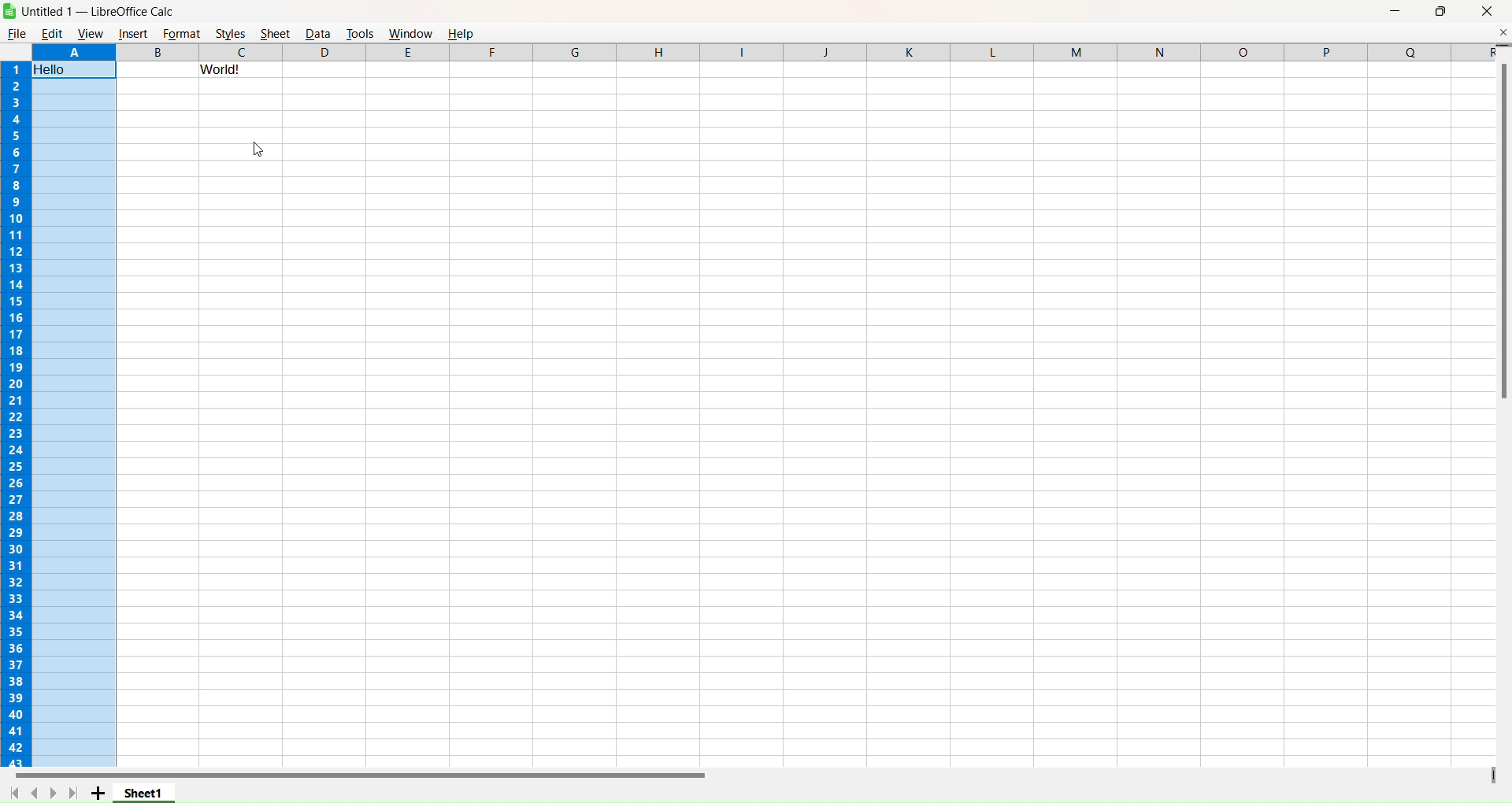 Image resolution: width=1512 pixels, height=803 pixels. Describe the element at coordinates (105, 11) in the screenshot. I see `untitled 1 - LibreOffice Calc` at that location.